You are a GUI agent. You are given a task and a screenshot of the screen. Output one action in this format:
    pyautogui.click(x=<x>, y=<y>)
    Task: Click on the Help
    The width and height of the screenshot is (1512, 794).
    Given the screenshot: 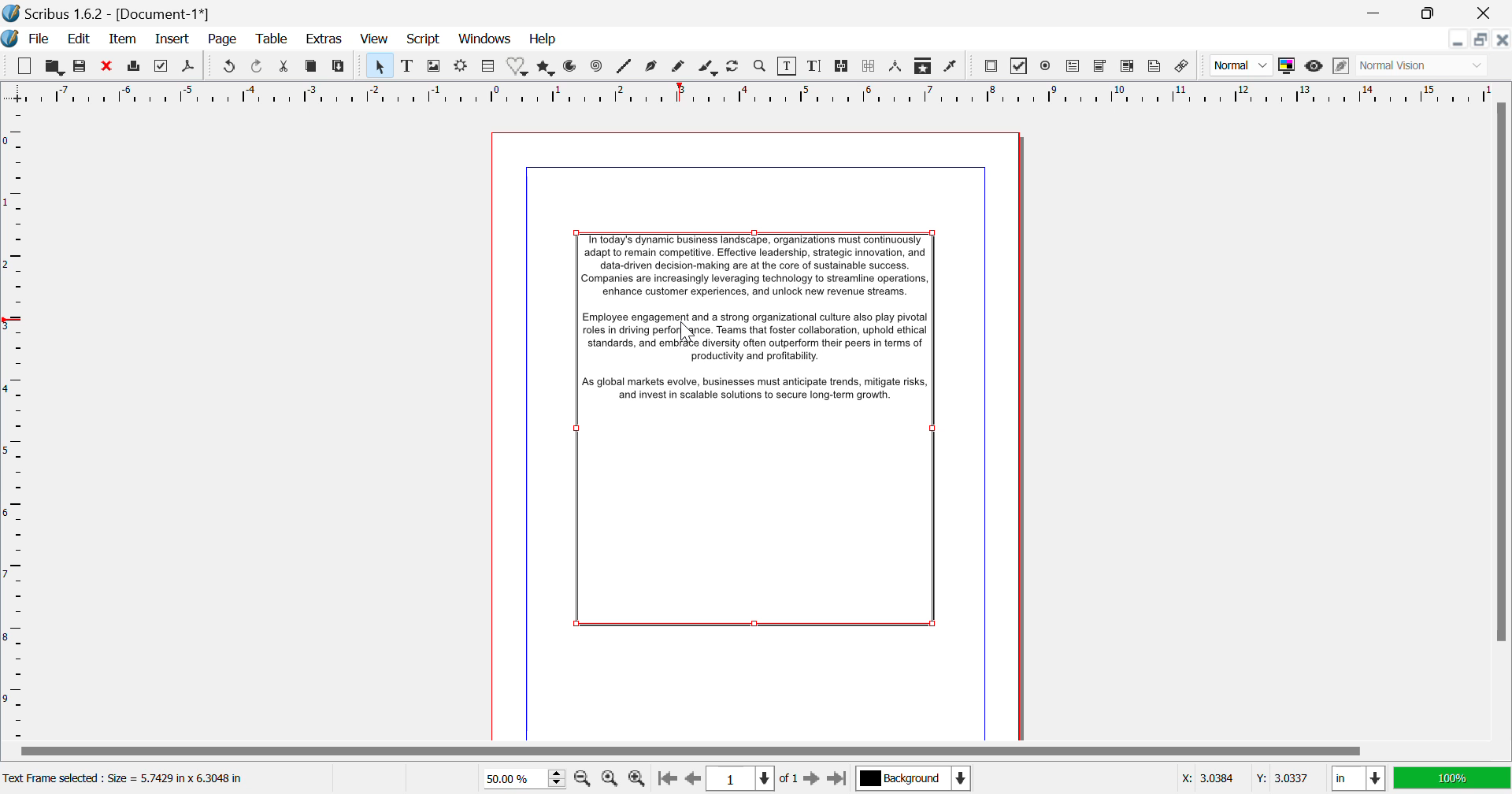 What is the action you would take?
    pyautogui.click(x=543, y=39)
    